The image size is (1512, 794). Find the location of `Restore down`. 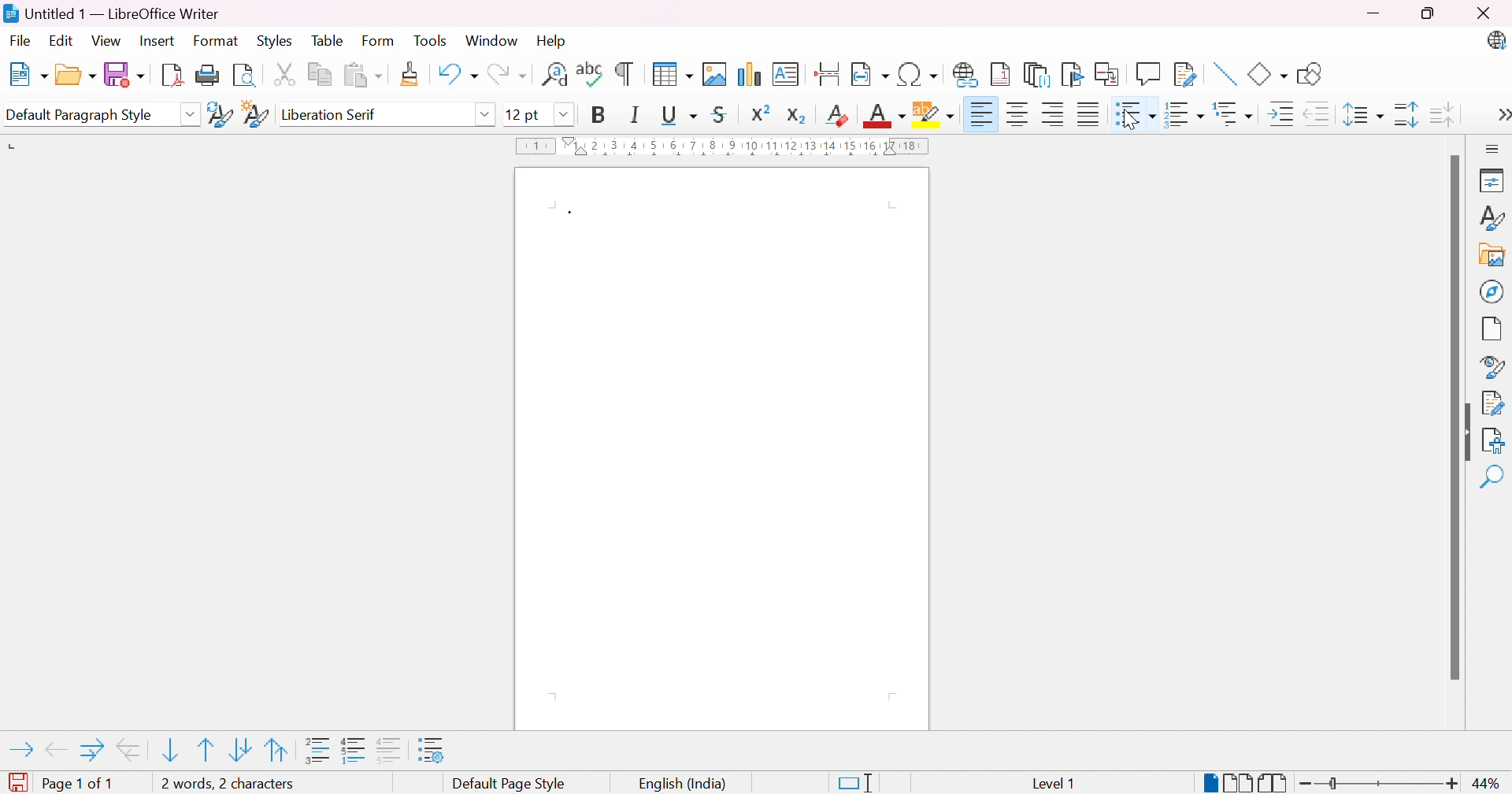

Restore down is located at coordinates (1430, 13).